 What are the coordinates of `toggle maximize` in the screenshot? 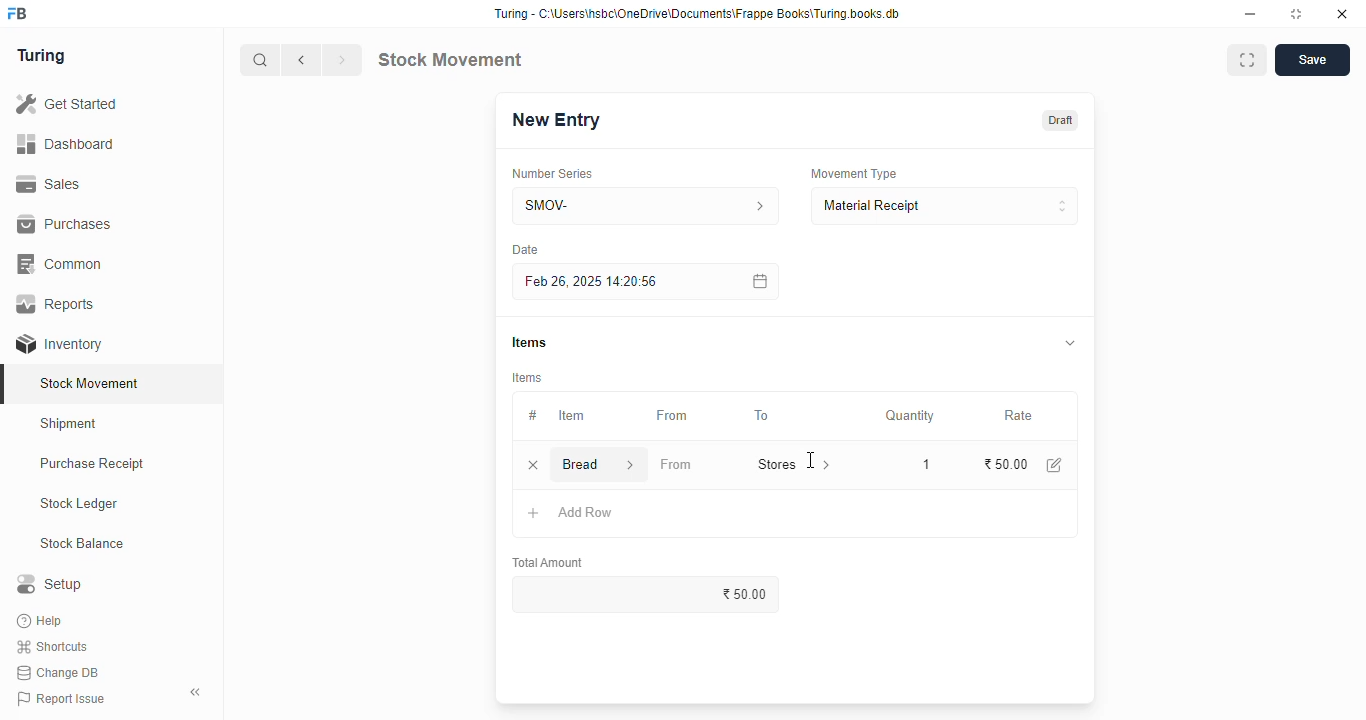 It's located at (1295, 14).